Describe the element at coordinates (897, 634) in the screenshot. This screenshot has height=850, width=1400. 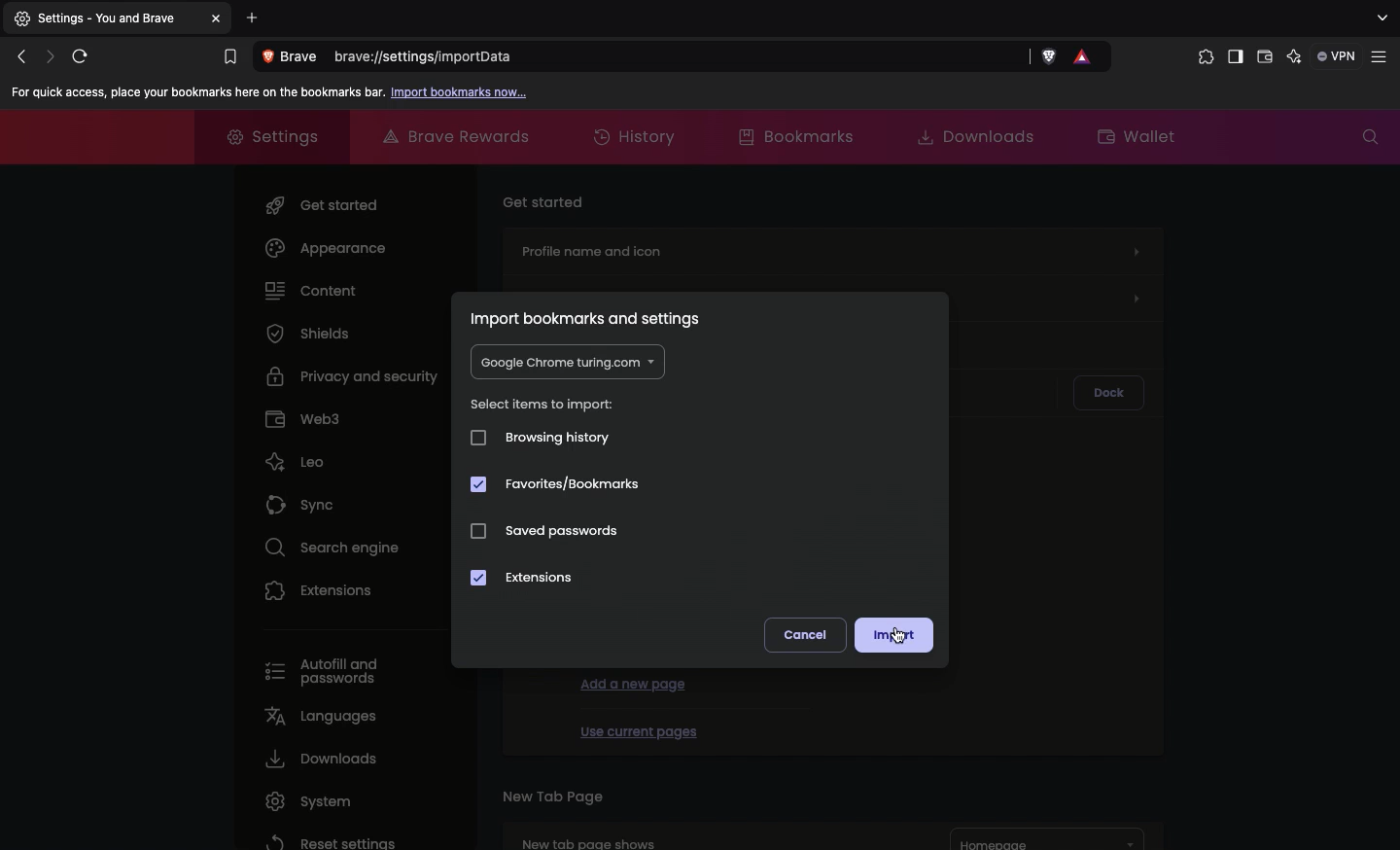
I see `Clicking on import` at that location.